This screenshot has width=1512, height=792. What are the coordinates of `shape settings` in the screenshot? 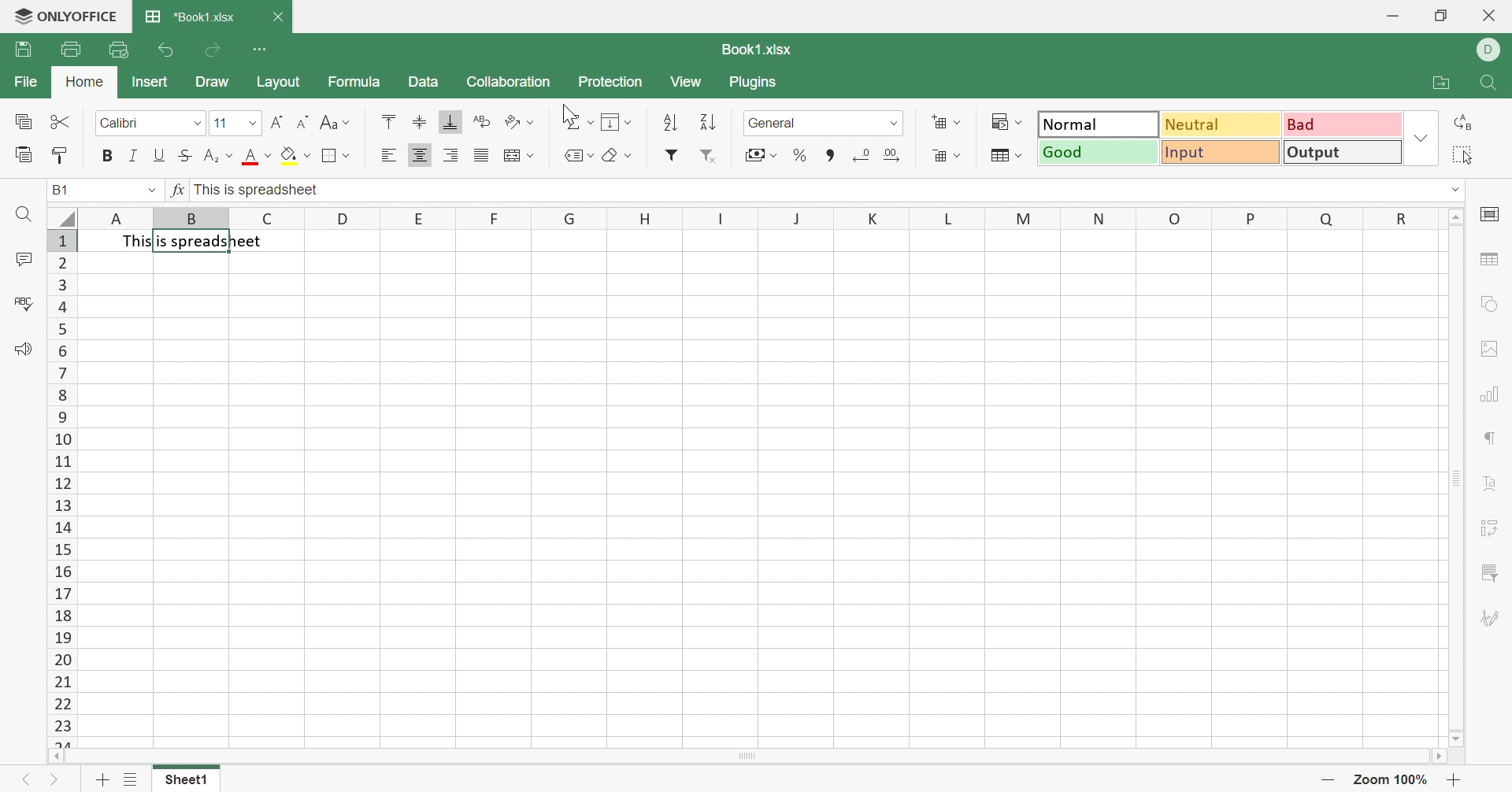 It's located at (1491, 304).